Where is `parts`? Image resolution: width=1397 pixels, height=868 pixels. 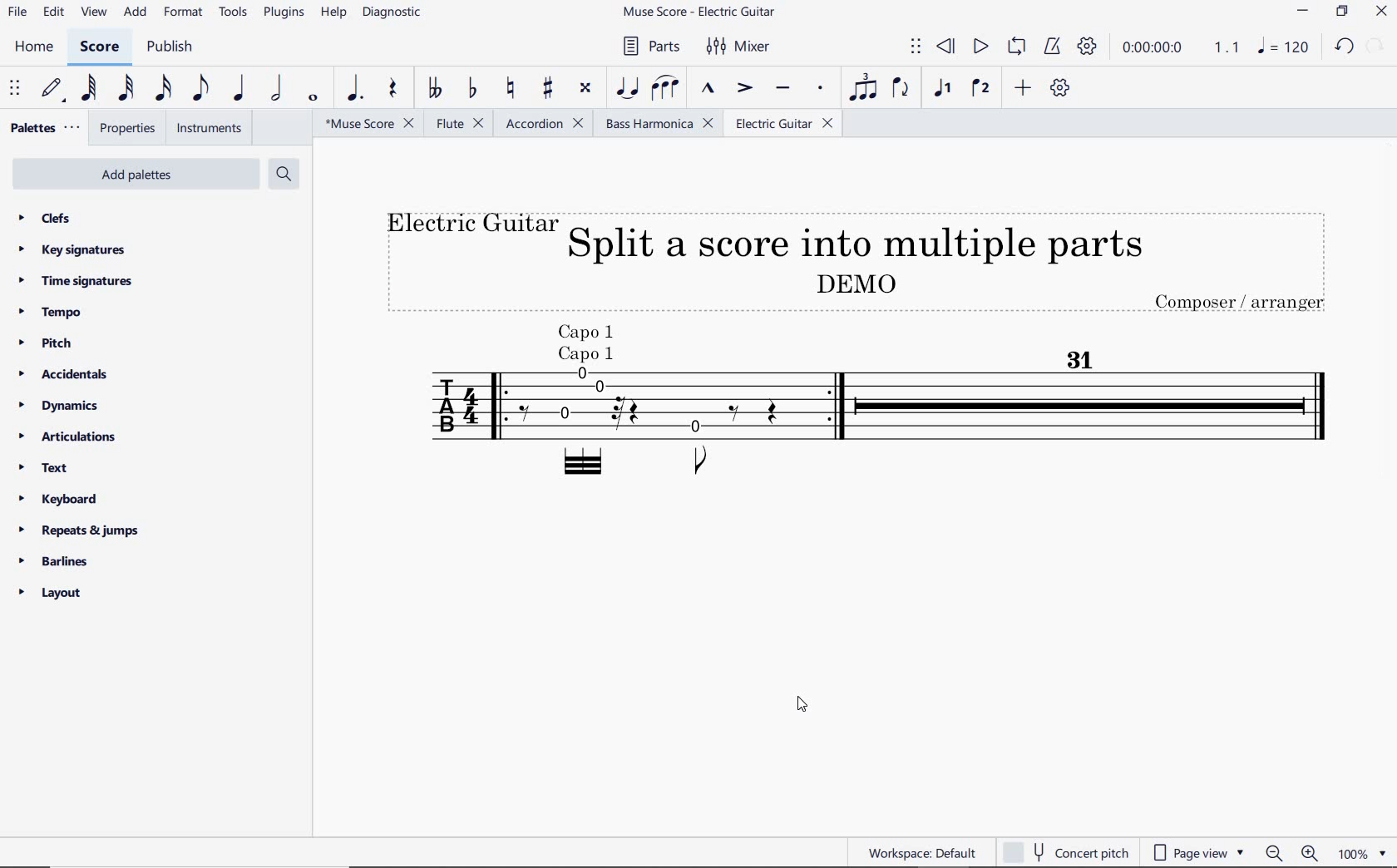 parts is located at coordinates (648, 46).